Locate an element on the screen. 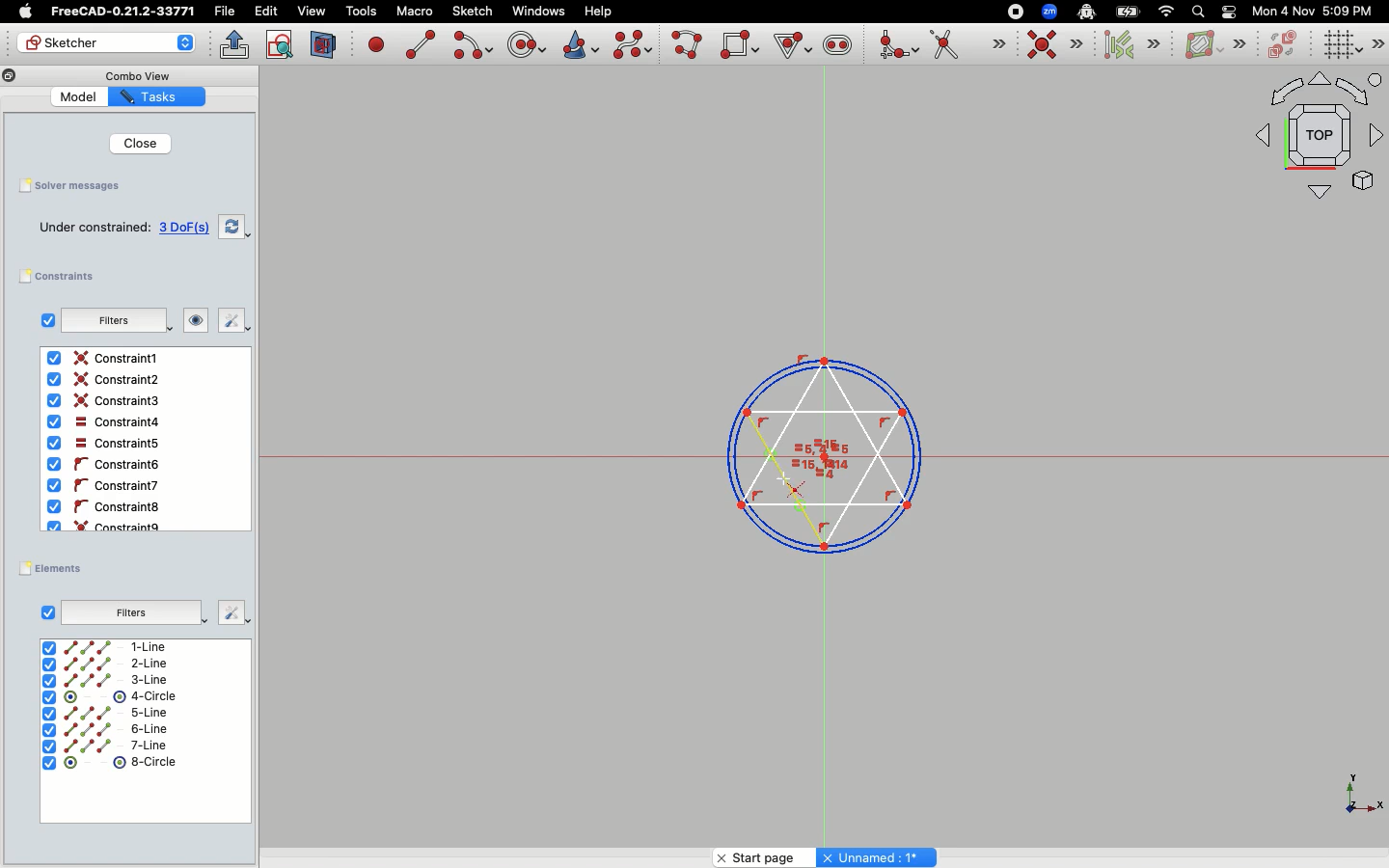  Create point is located at coordinates (377, 43).